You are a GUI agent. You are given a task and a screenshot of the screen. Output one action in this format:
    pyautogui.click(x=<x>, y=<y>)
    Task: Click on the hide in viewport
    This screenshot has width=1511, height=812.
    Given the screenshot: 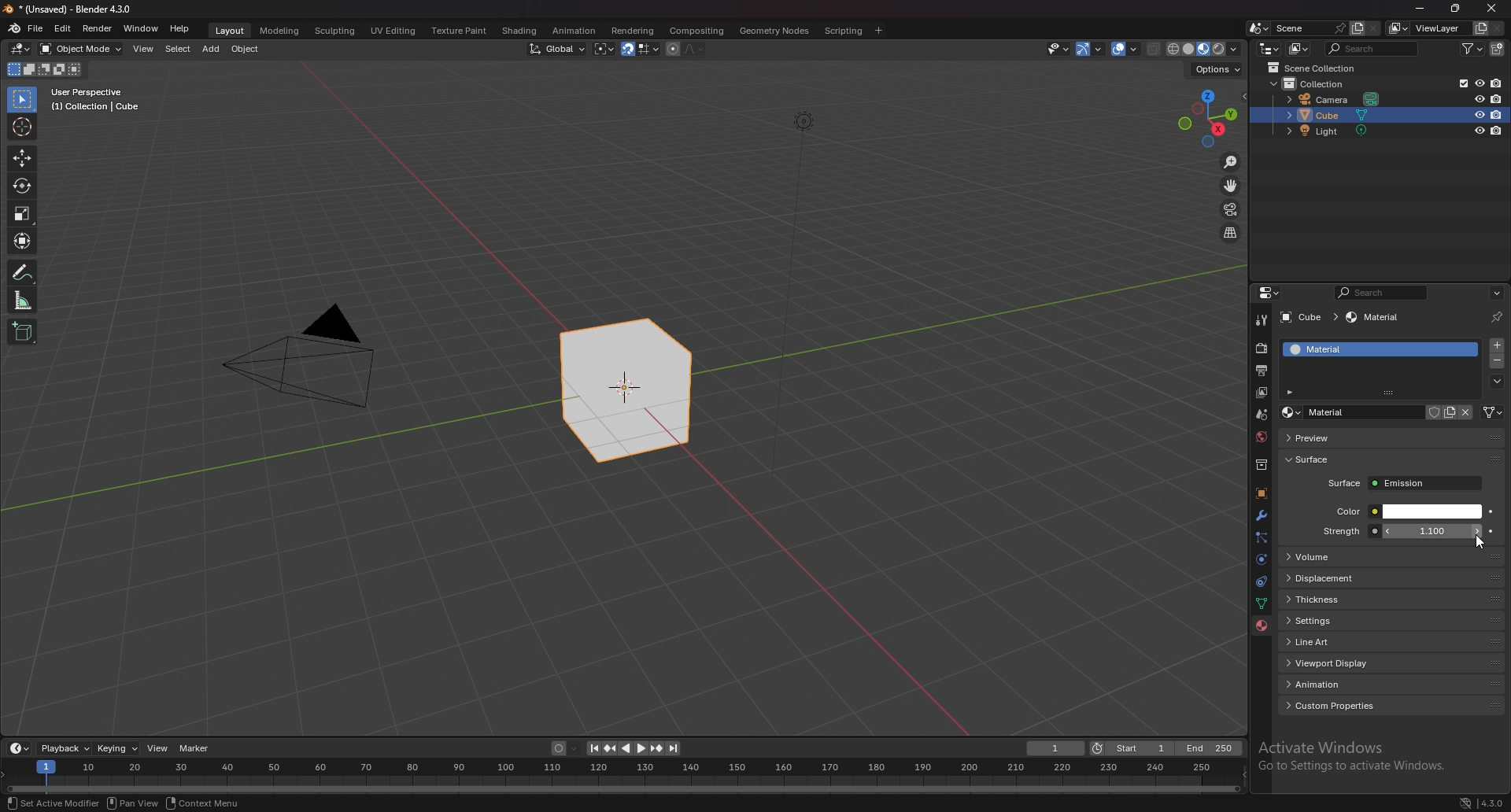 What is the action you would take?
    pyautogui.click(x=1480, y=82)
    